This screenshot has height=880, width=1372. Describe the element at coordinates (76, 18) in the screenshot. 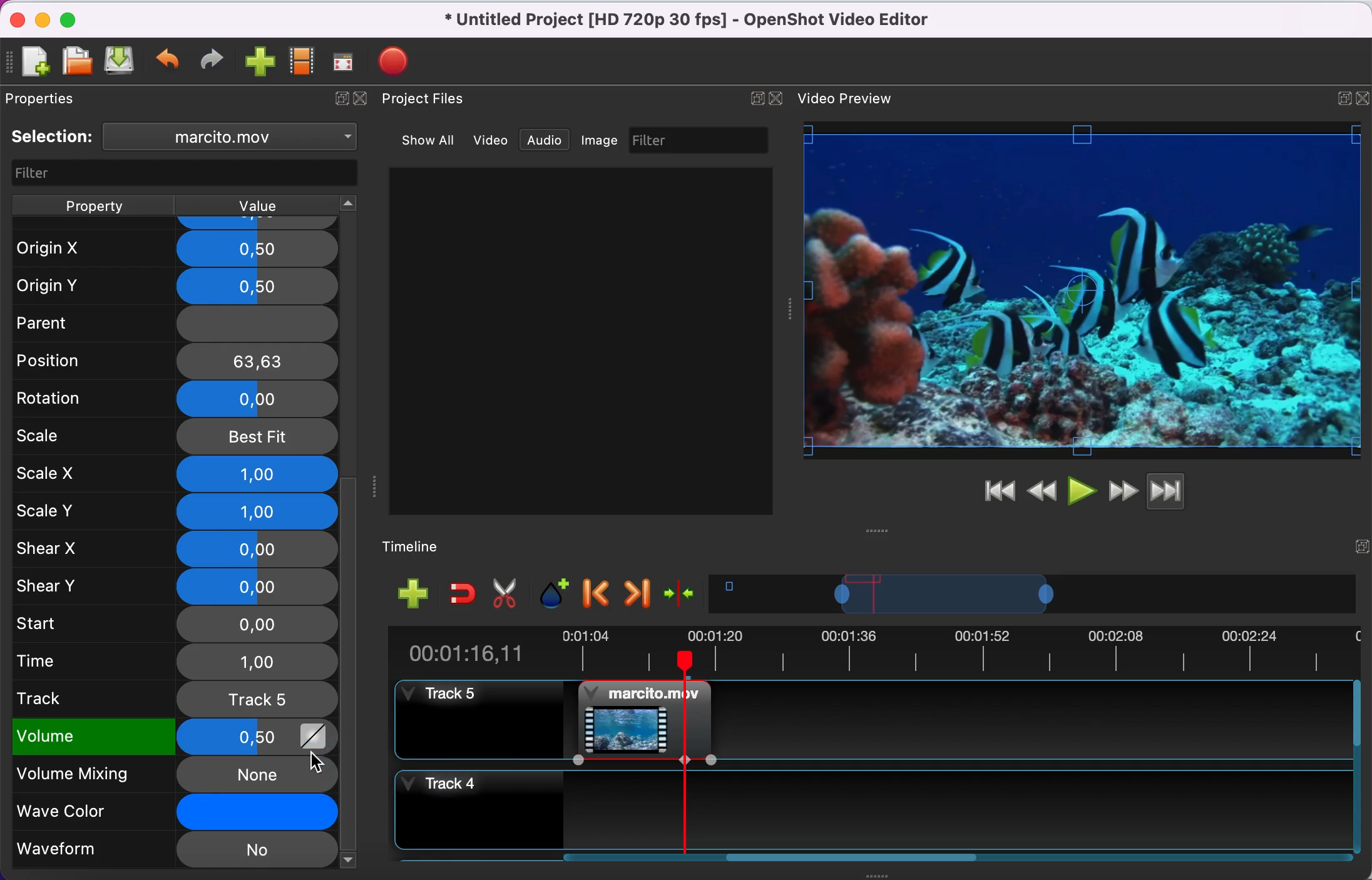

I see `maximize` at that location.